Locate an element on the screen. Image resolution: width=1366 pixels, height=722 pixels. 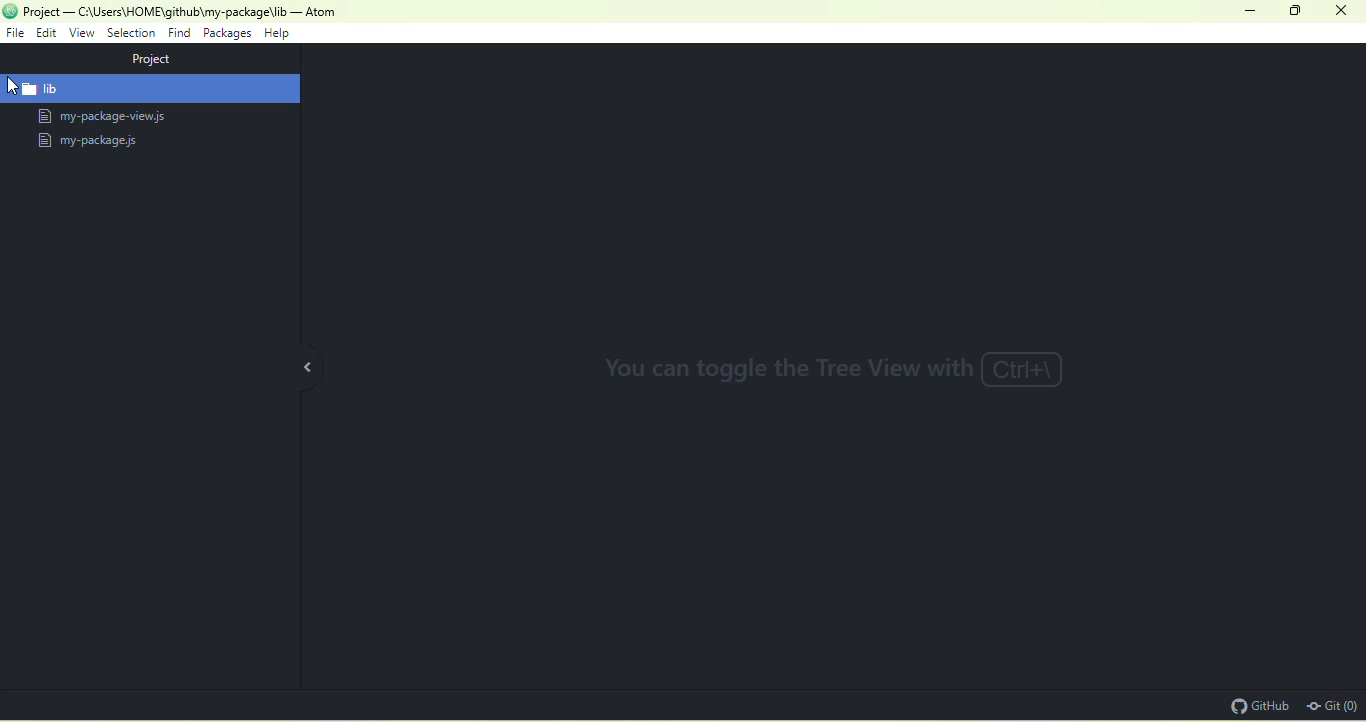
my-package.js is located at coordinates (89, 142).